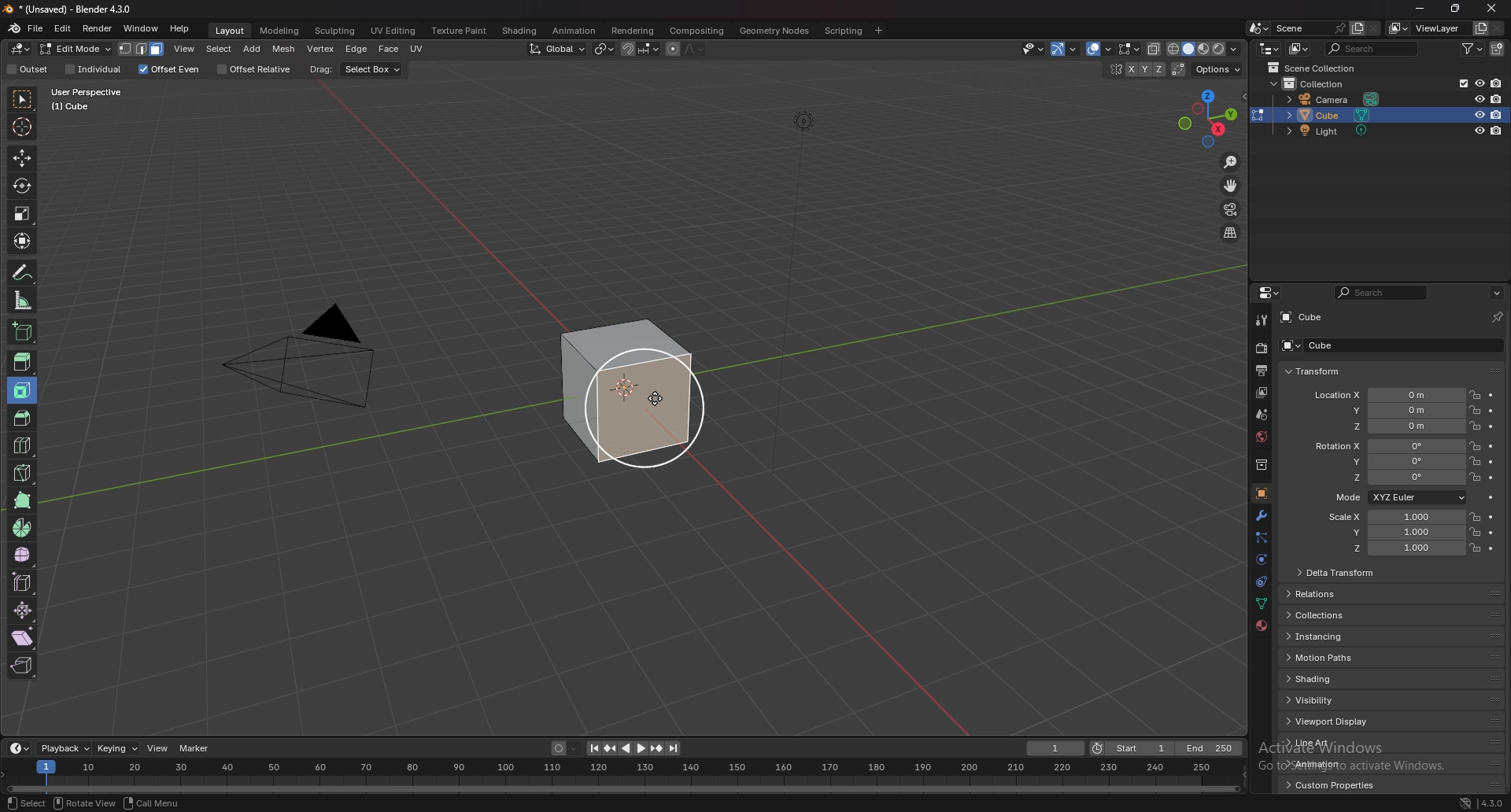 The width and height of the screenshot is (1511, 812). Describe the element at coordinates (336, 31) in the screenshot. I see `sculpting` at that location.